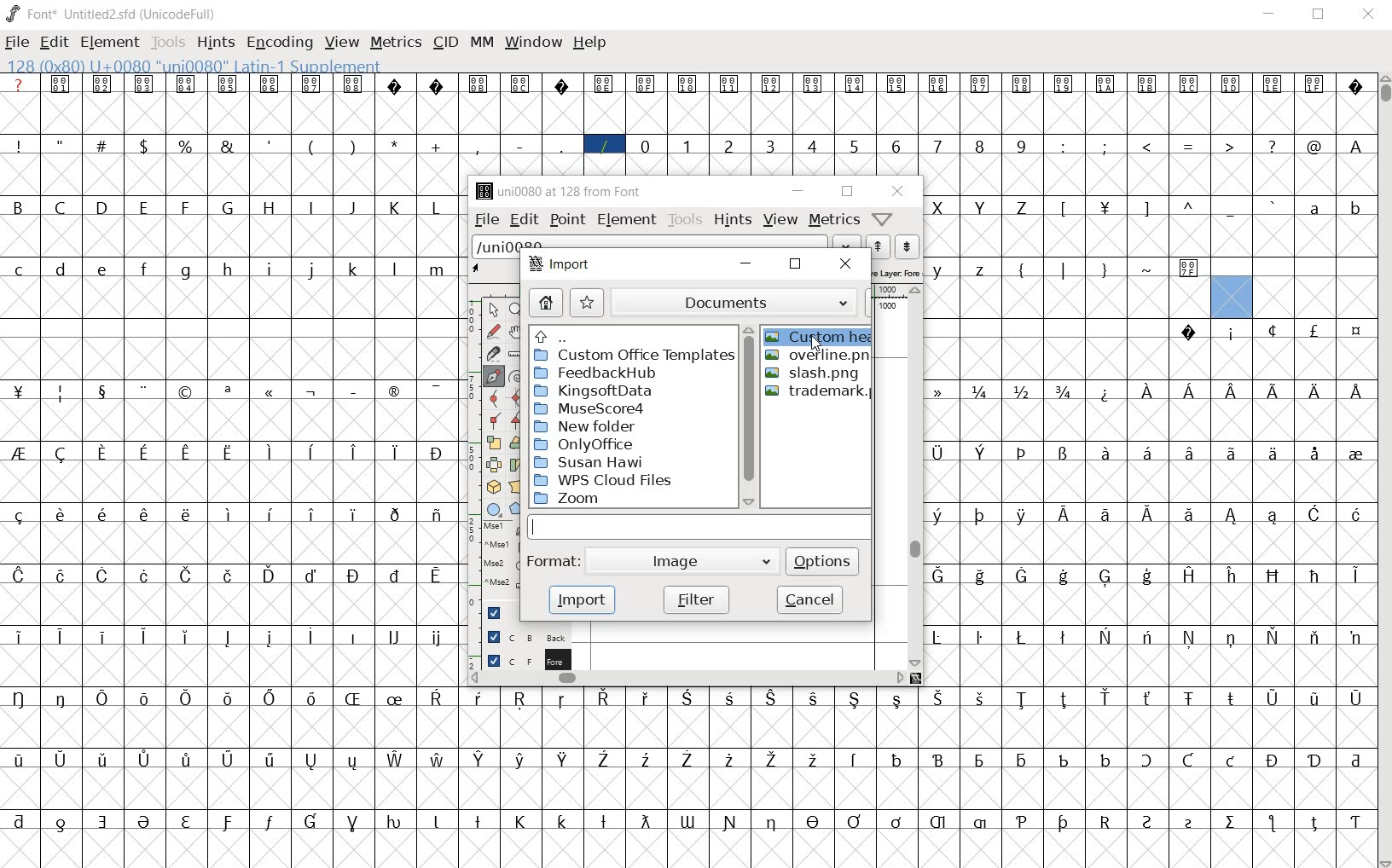 This screenshot has height=868, width=1392. I want to click on glyph, so click(1314, 824).